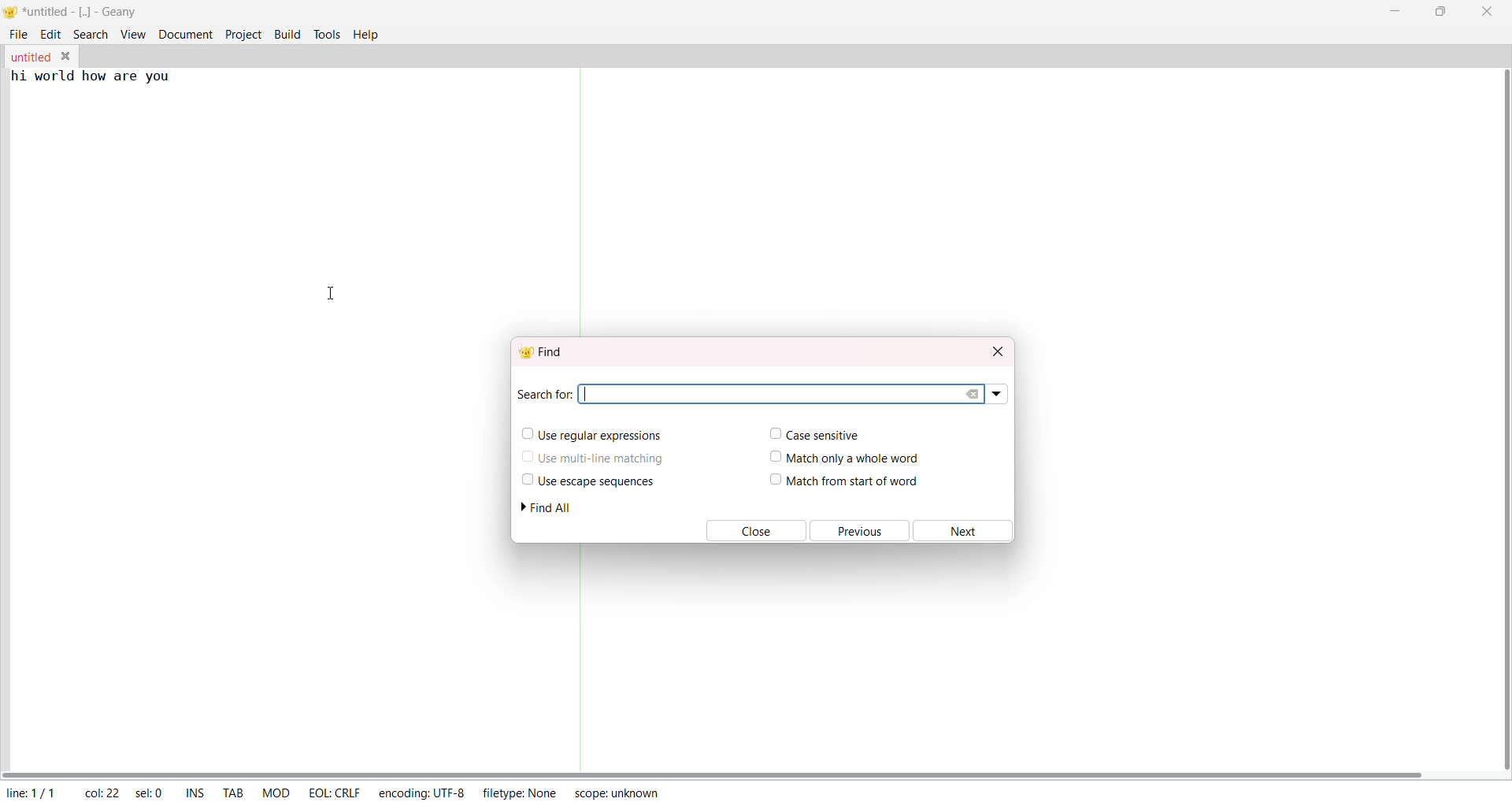 The height and width of the screenshot is (802, 1512). What do you see at coordinates (965, 533) in the screenshot?
I see `next` at bounding box center [965, 533].